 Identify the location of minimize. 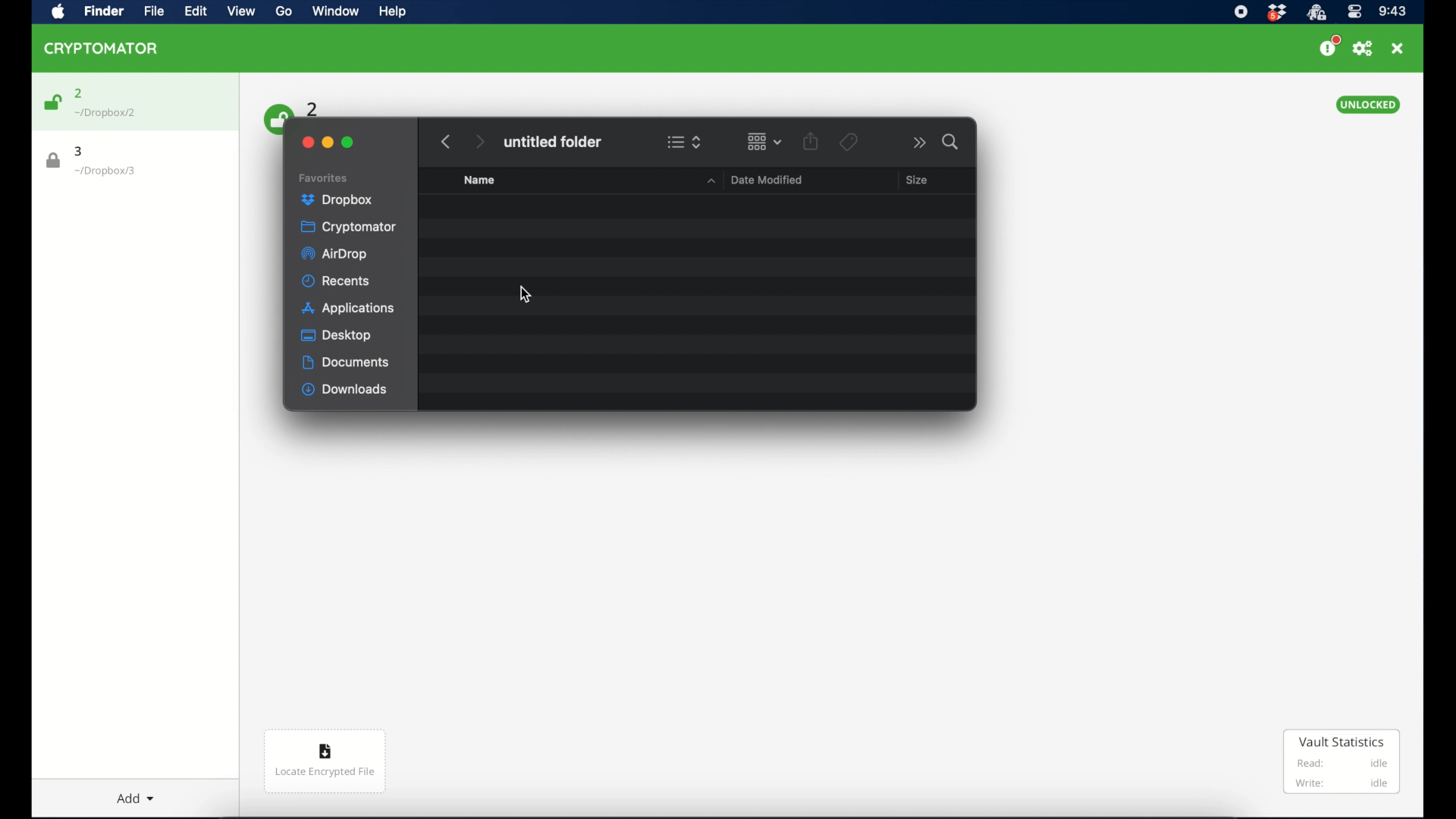
(328, 143).